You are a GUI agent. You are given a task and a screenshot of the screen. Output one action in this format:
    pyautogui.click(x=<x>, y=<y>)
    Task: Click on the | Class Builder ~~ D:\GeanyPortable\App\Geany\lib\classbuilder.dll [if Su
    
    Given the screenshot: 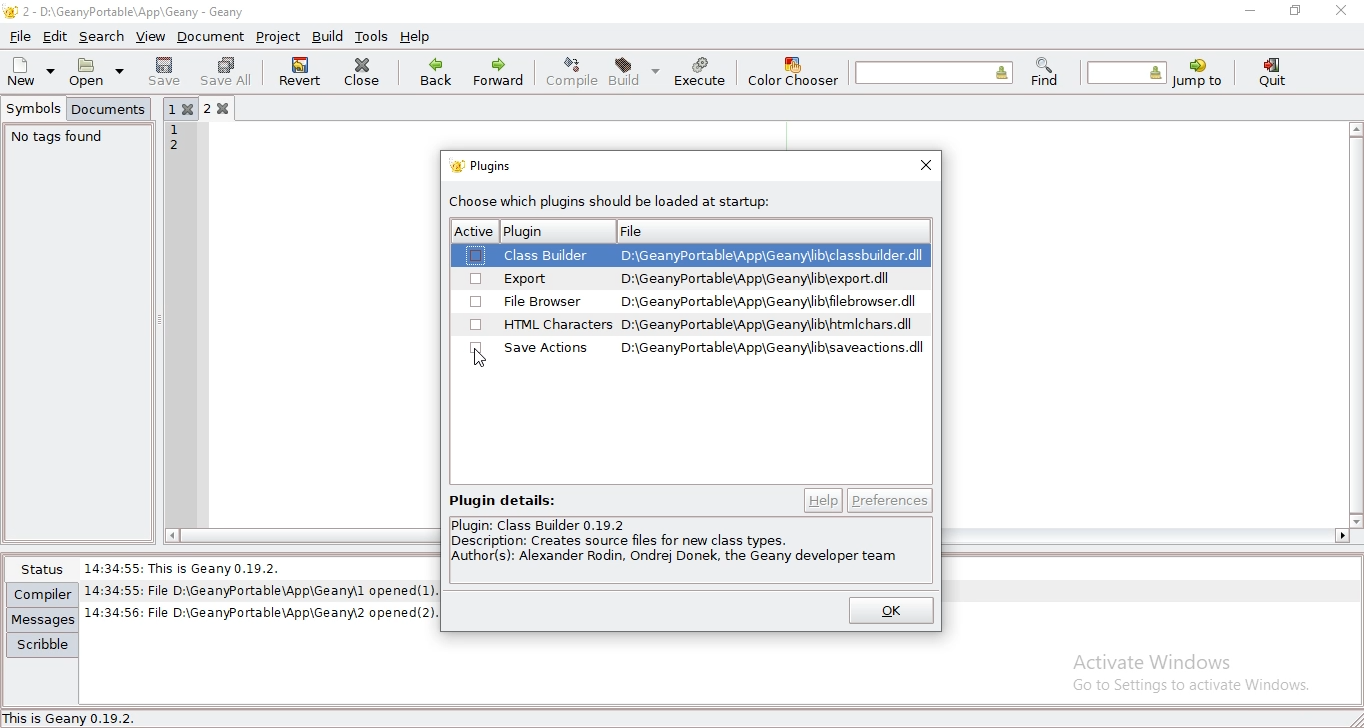 What is the action you would take?
    pyautogui.click(x=692, y=254)
    